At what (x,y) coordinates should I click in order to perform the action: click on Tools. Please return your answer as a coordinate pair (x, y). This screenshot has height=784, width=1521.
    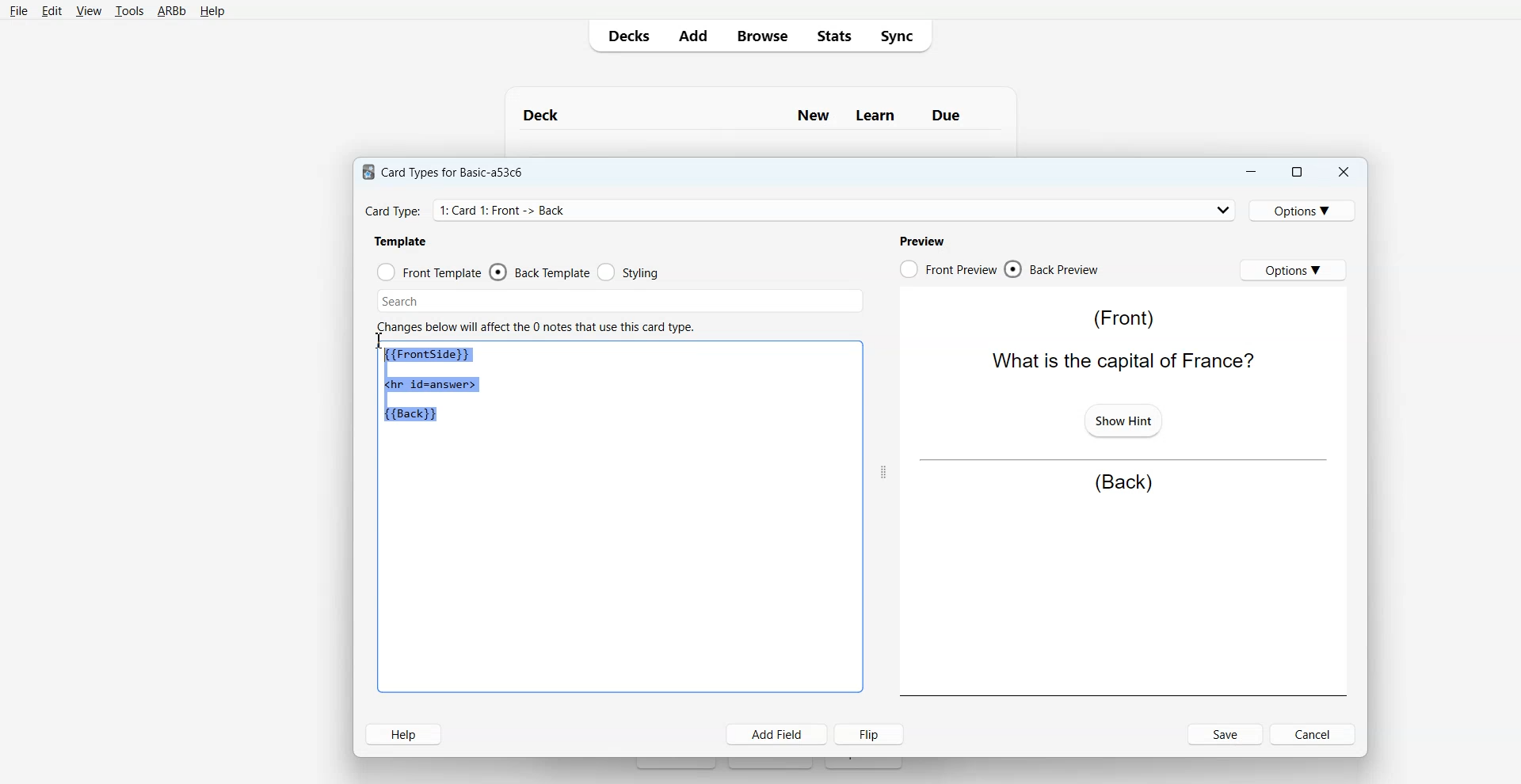
    Looking at the image, I should click on (129, 12).